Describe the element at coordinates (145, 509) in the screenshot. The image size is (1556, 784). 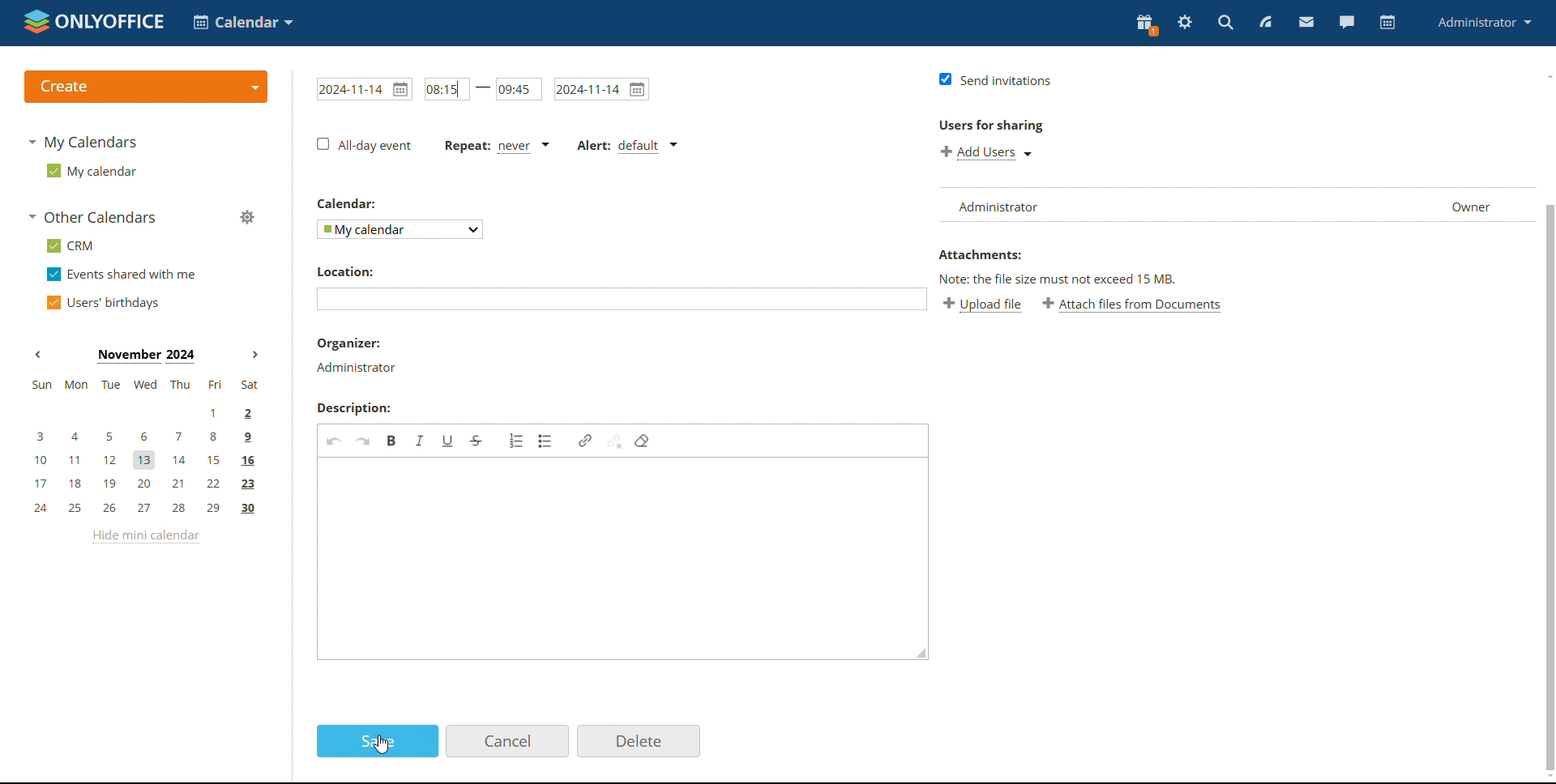
I see `24, 25, 26, 27, 28, 29, 30` at that location.